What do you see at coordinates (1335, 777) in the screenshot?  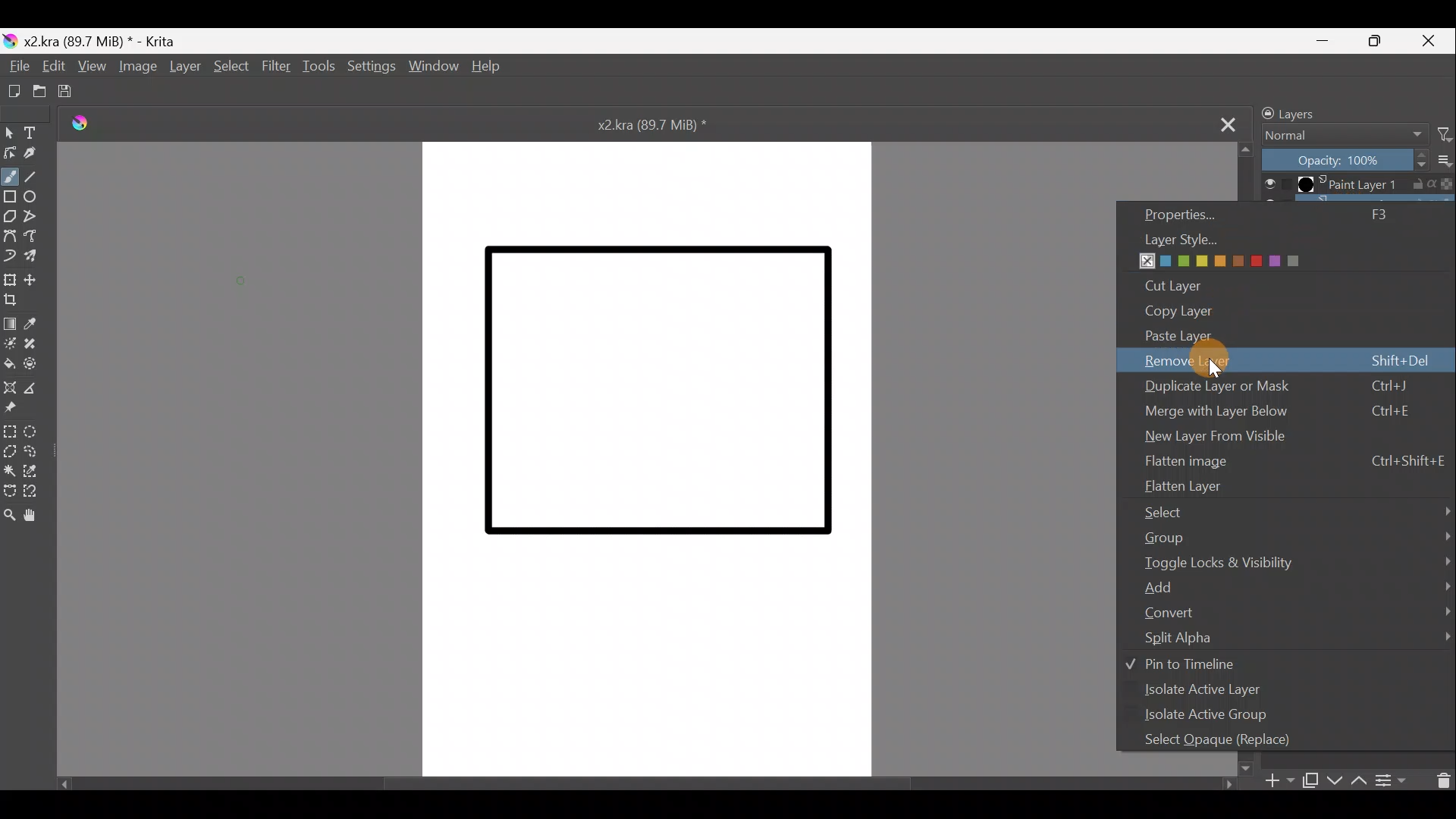 I see `Move layer/mask down` at bounding box center [1335, 777].